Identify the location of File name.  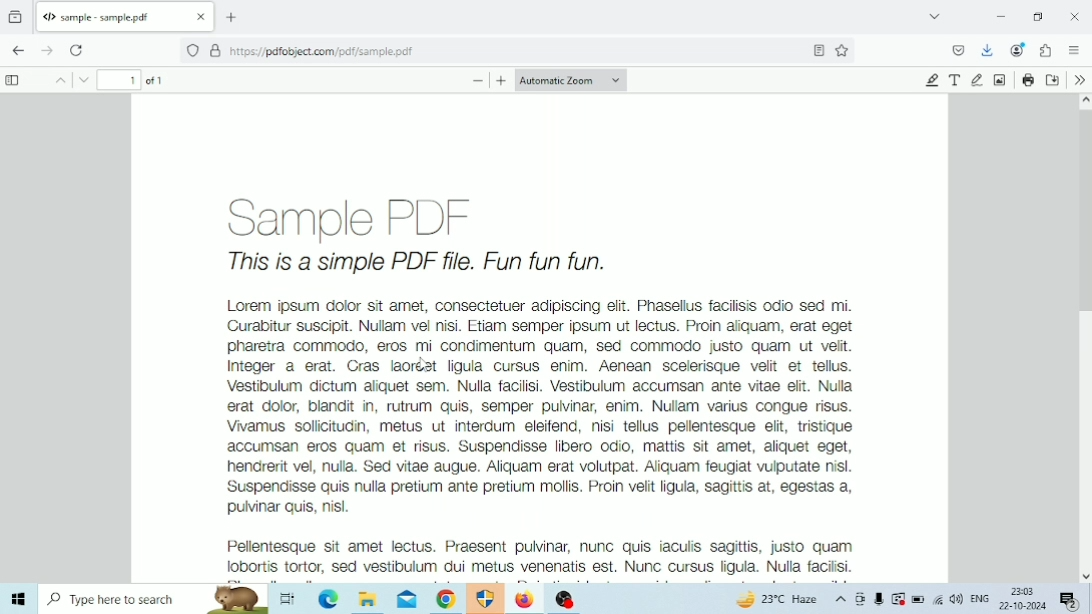
(124, 17).